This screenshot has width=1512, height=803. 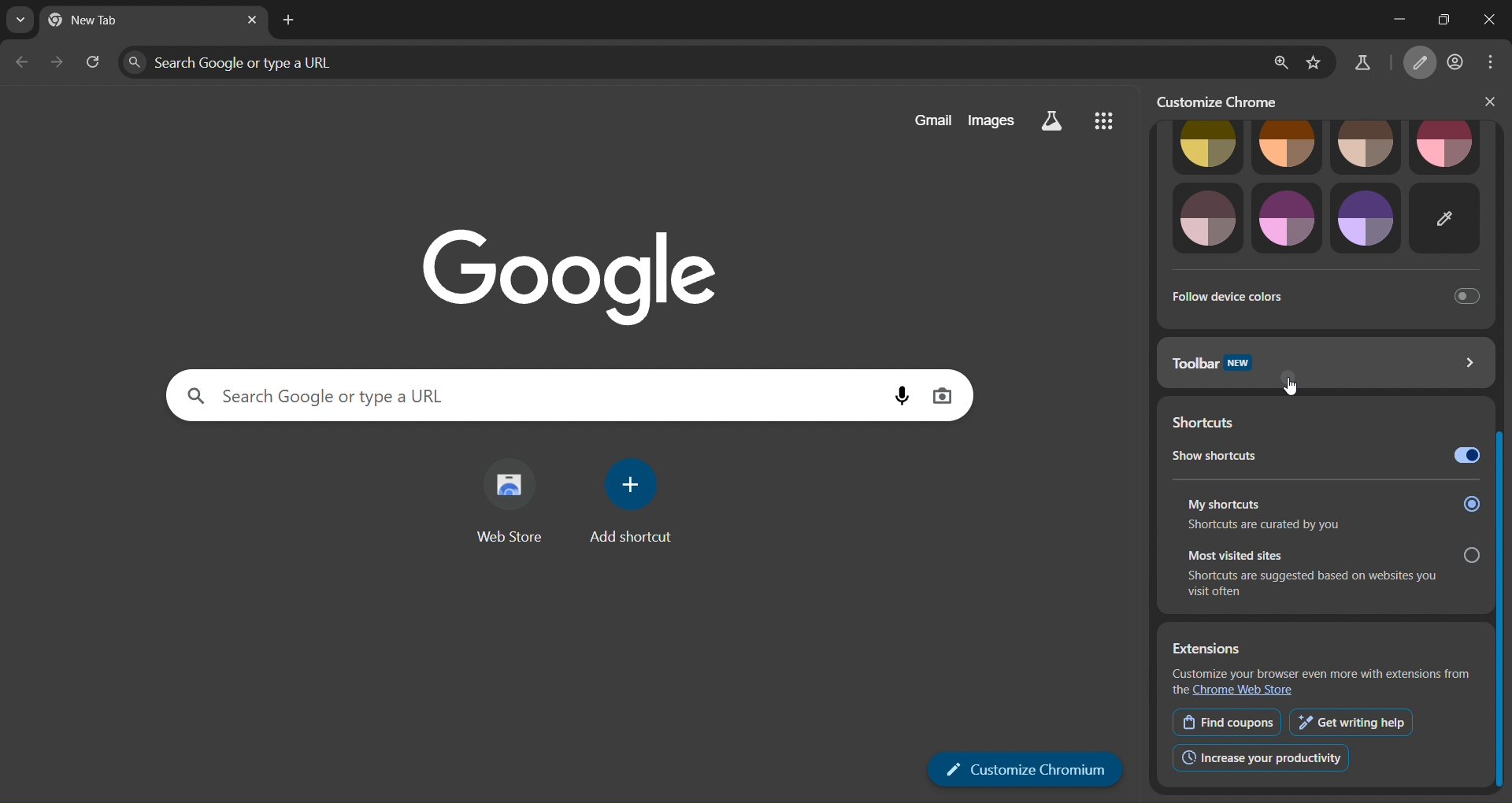 What do you see at coordinates (1503, 457) in the screenshot?
I see `slider` at bounding box center [1503, 457].